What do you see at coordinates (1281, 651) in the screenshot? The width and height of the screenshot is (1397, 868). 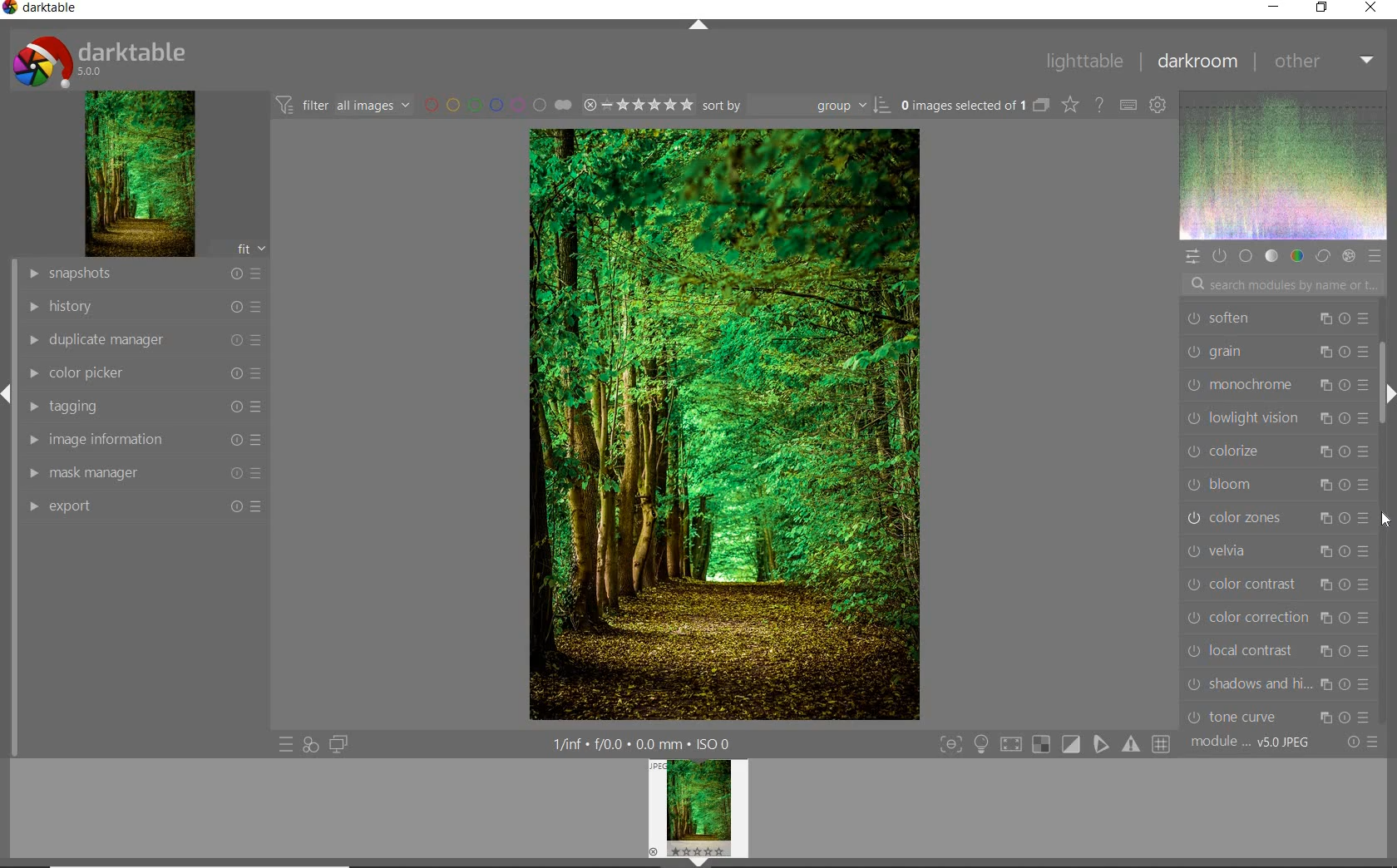 I see `local contrast` at bounding box center [1281, 651].